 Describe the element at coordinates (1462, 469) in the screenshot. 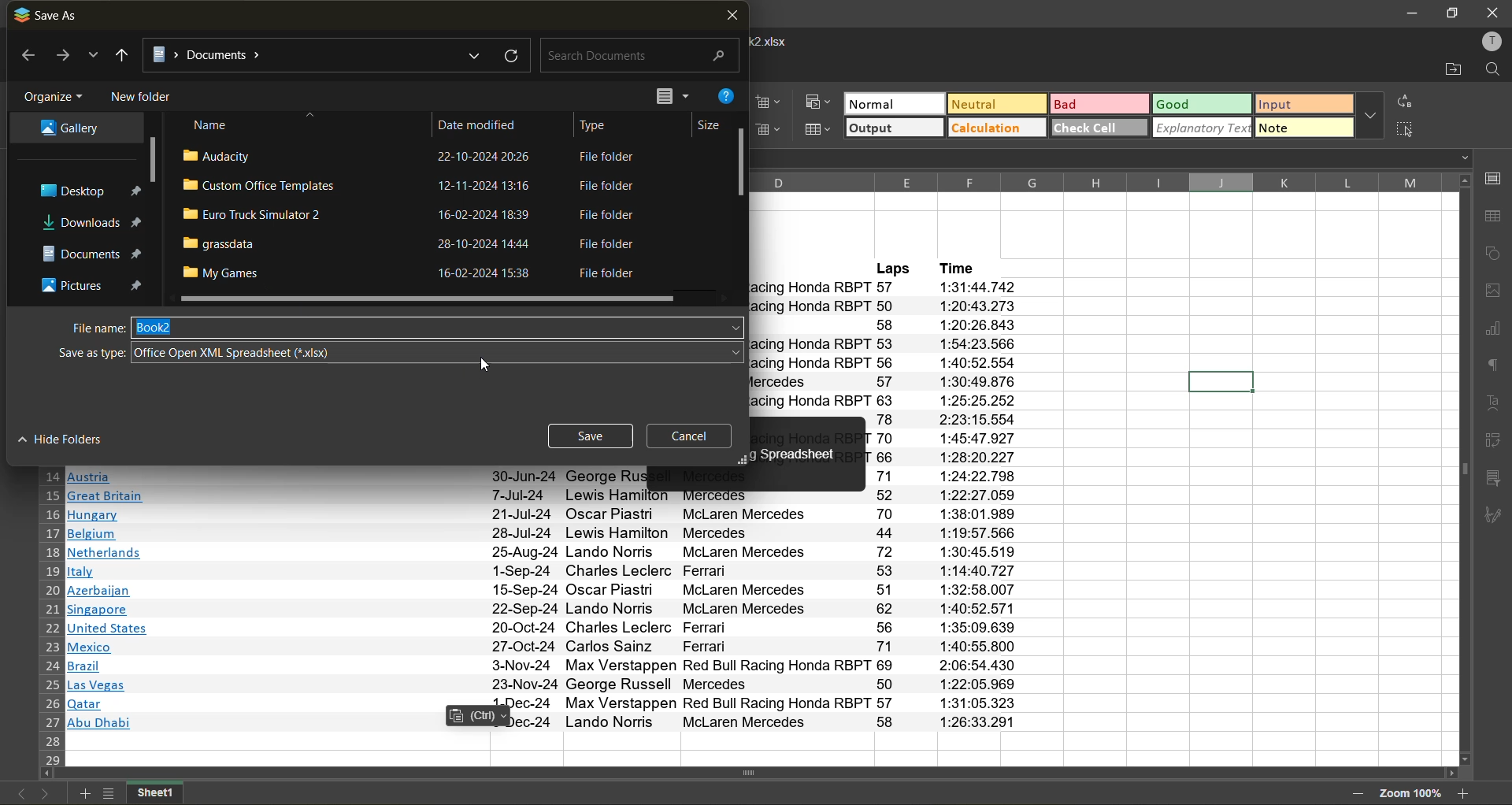

I see `vertical scrollbar` at that location.